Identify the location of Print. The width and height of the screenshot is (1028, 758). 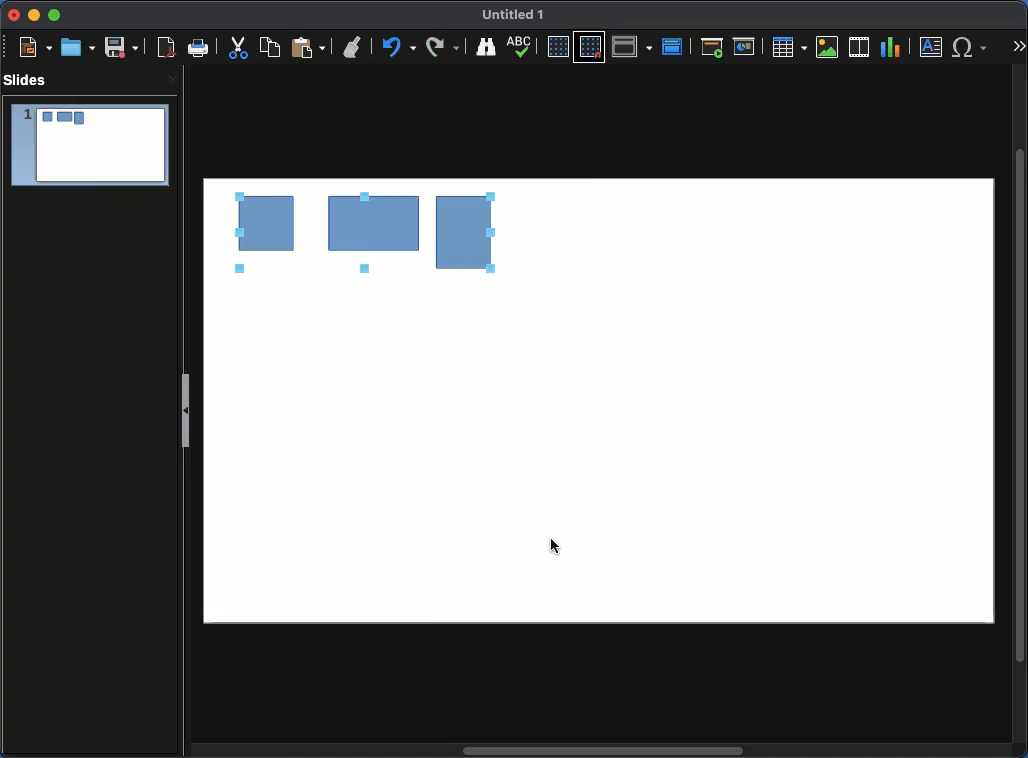
(200, 49).